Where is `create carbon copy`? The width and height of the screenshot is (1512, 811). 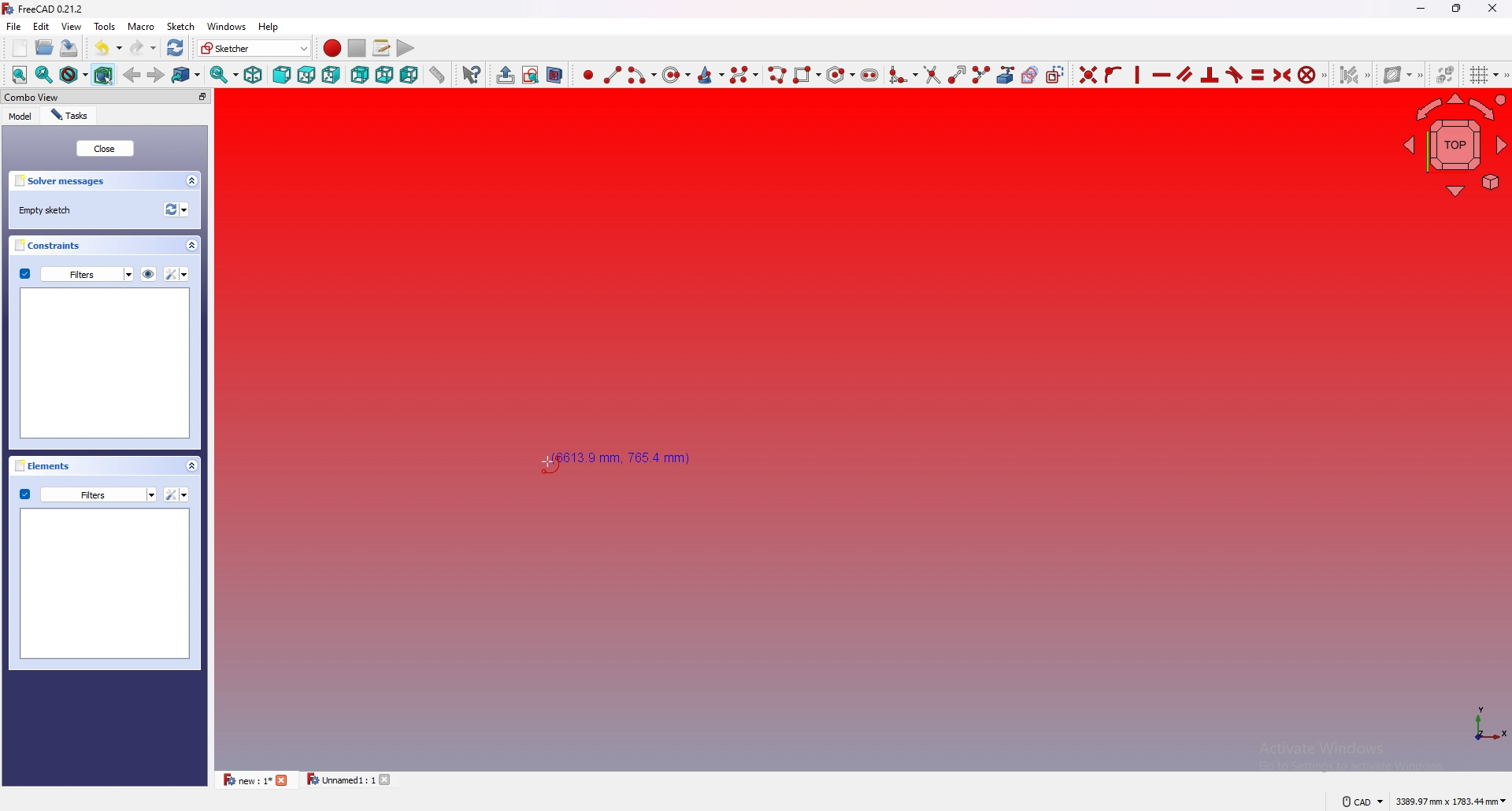 create carbon copy is located at coordinates (1030, 75).